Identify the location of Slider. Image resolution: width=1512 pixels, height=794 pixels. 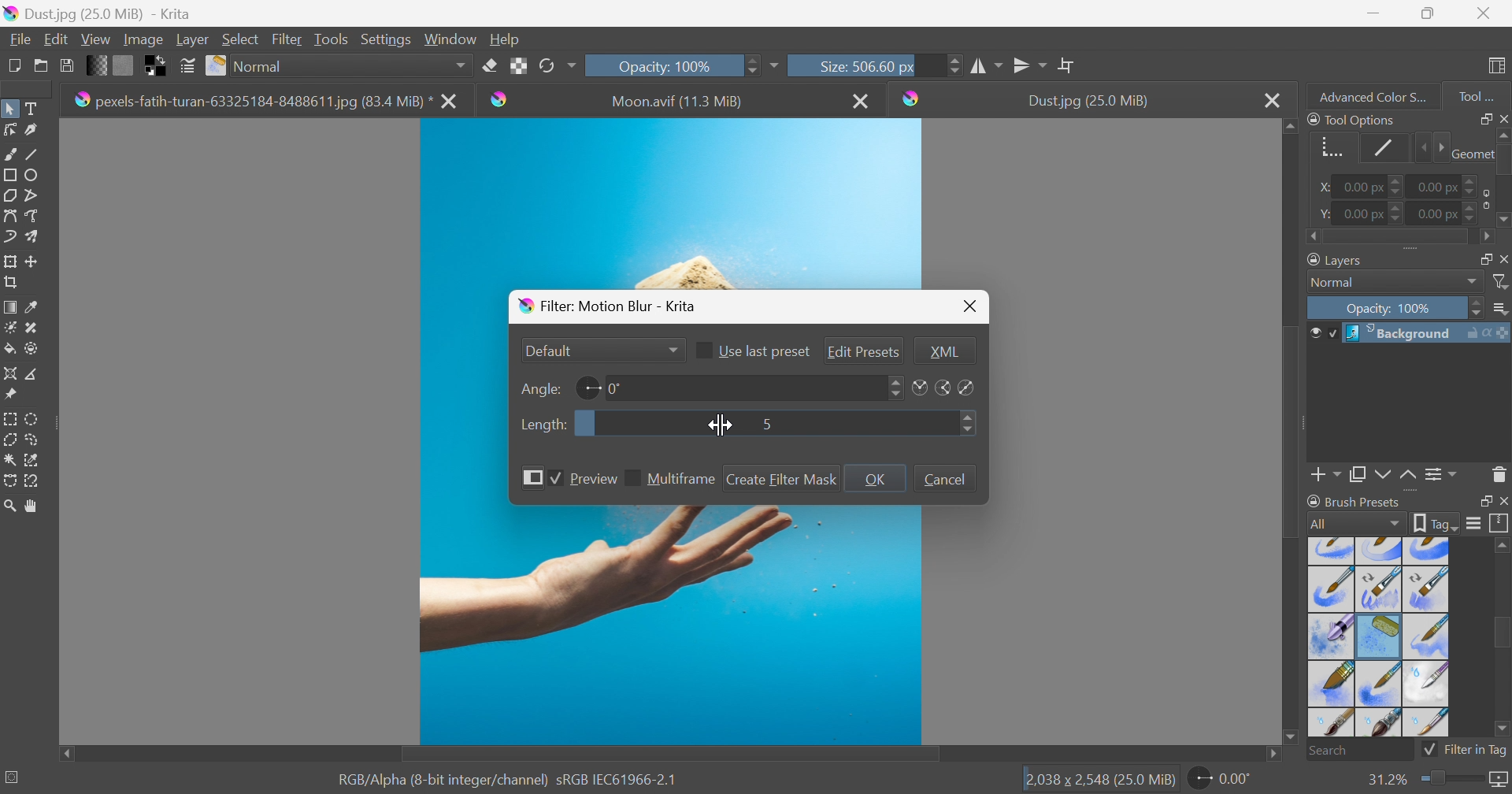
(954, 65).